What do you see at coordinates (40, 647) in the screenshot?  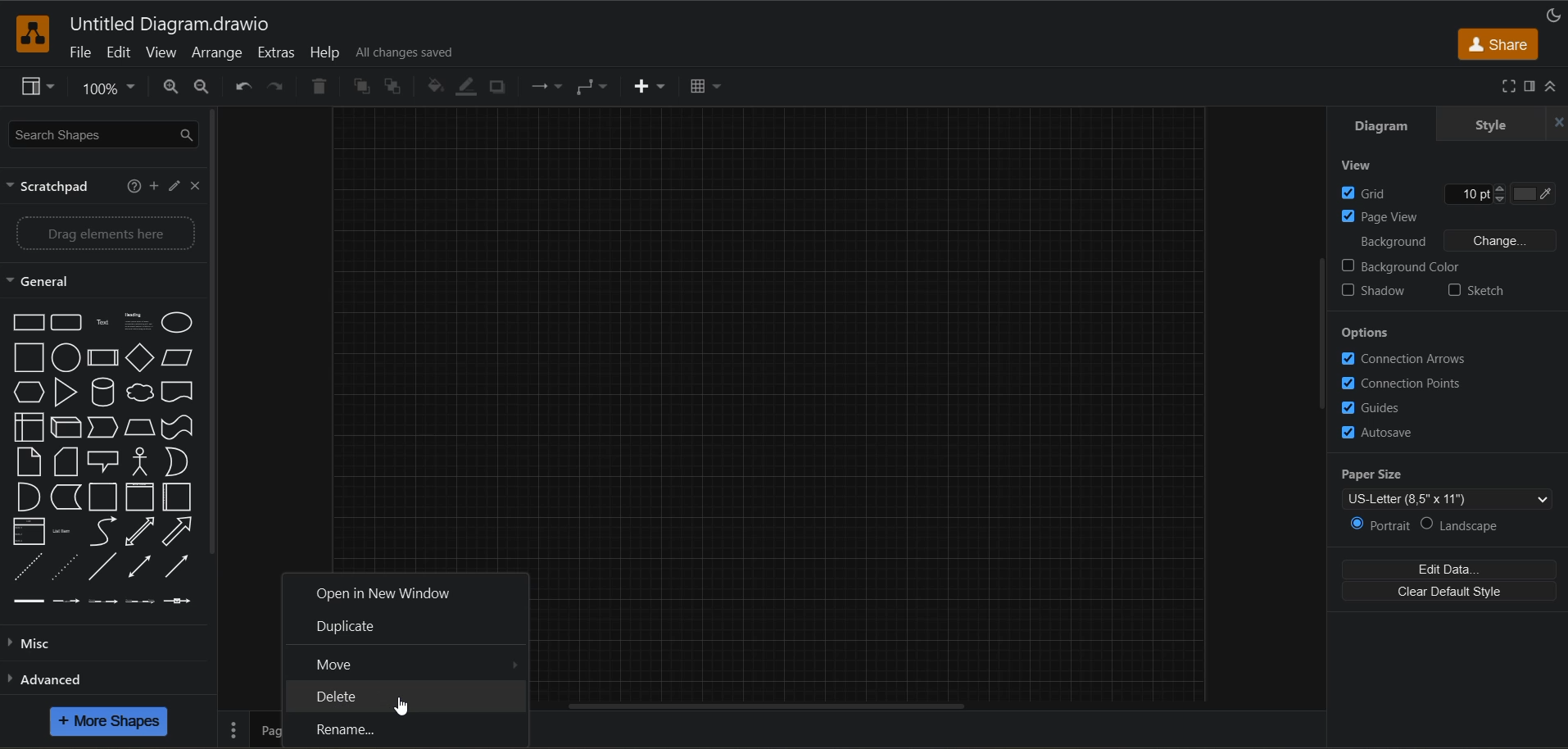 I see `misc` at bounding box center [40, 647].